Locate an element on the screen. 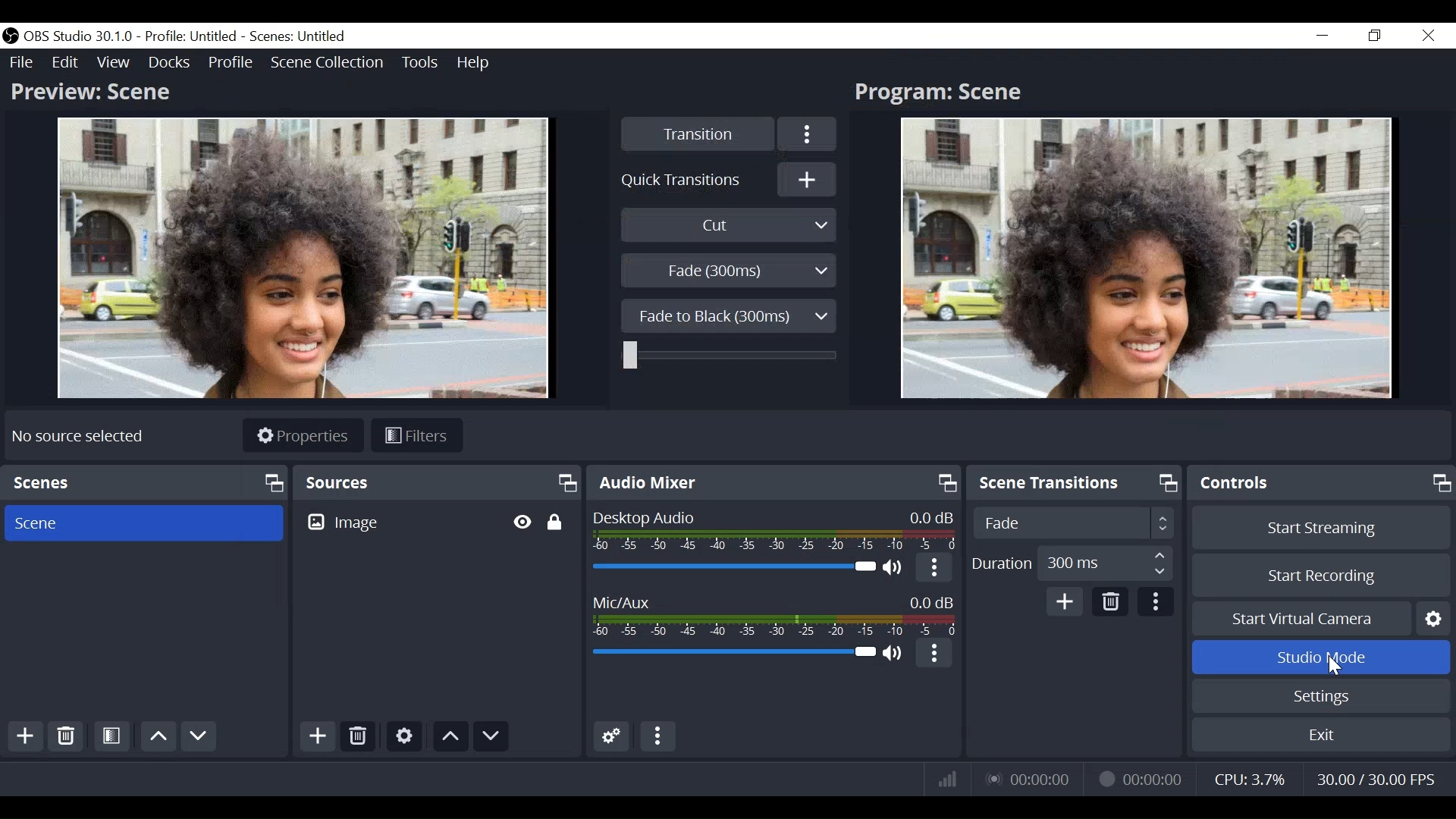  Image is located at coordinates (348, 522).